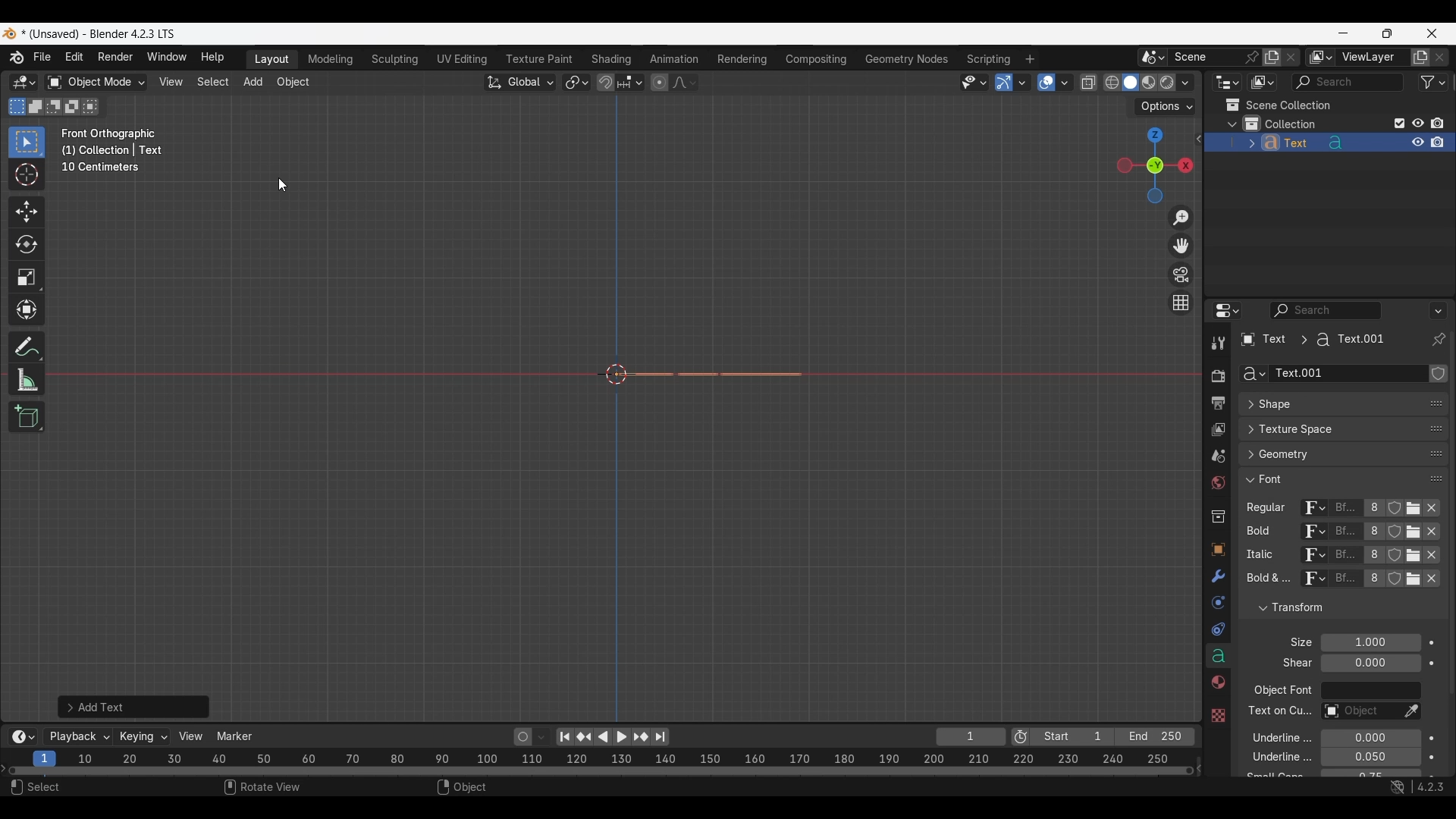 The image size is (1456, 819). I want to click on Delete scene, so click(1291, 58).